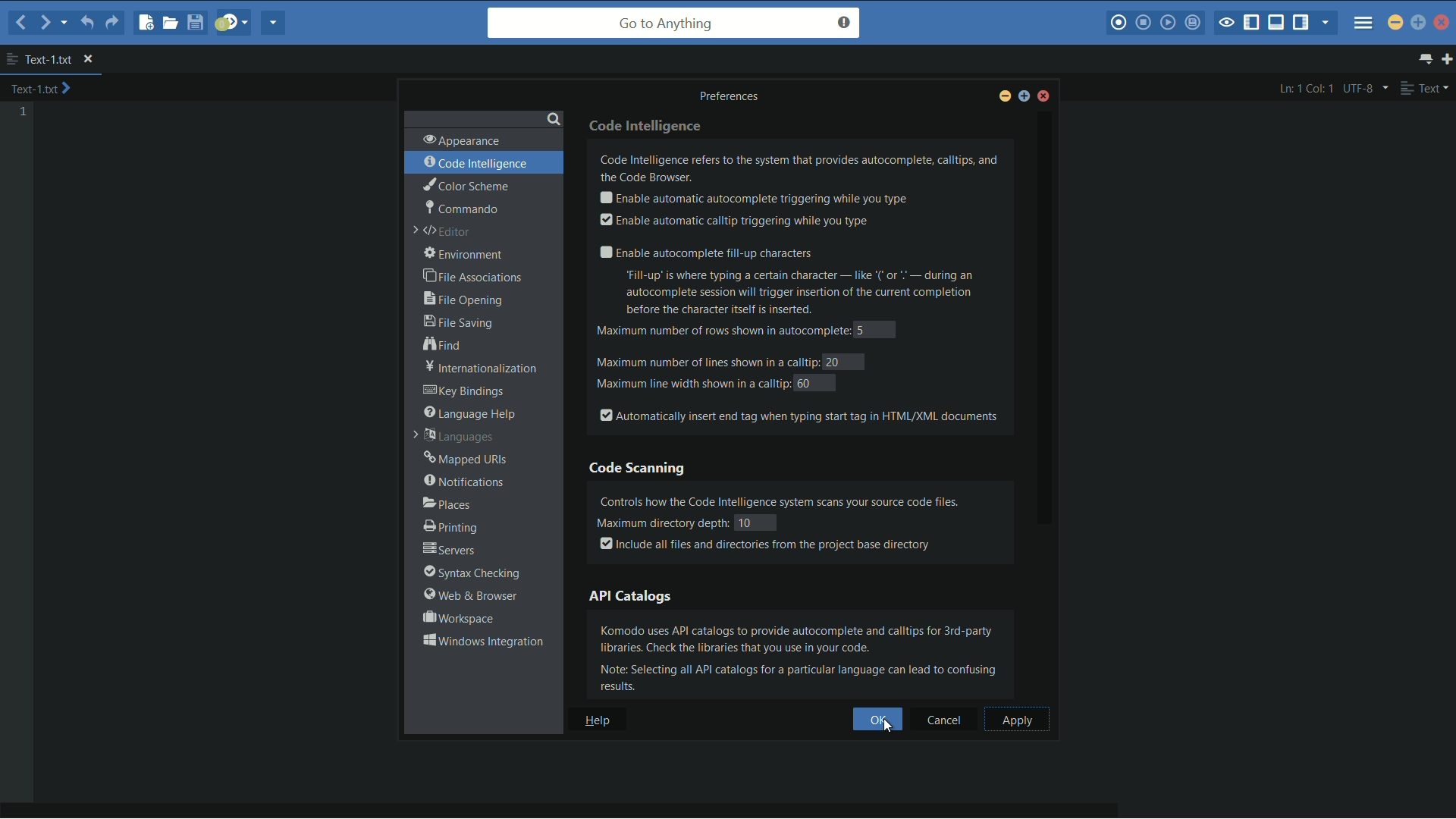  What do you see at coordinates (631, 595) in the screenshot?
I see `api catalogs` at bounding box center [631, 595].